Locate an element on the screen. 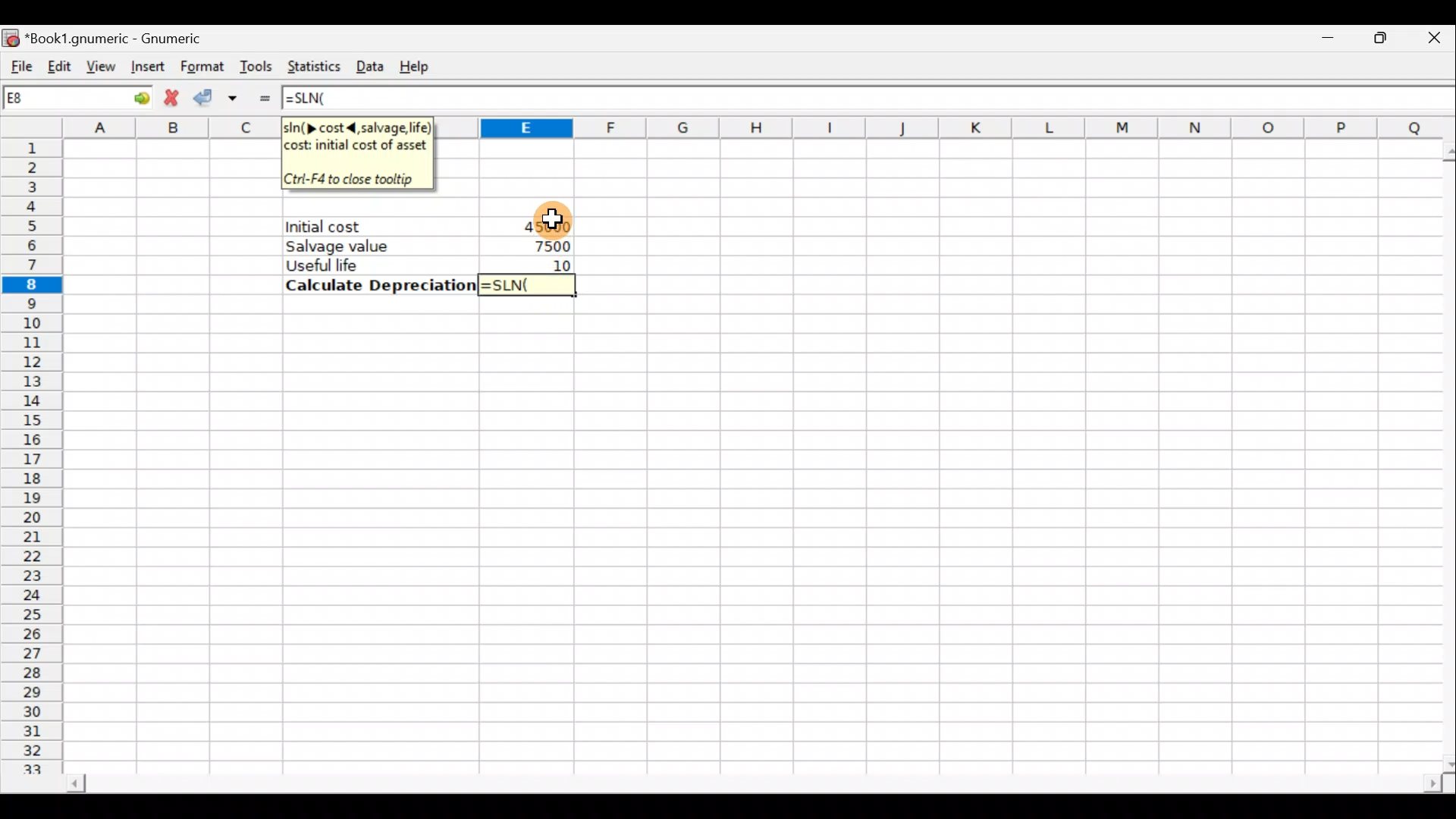  Gnumeric logo is located at coordinates (12, 35).